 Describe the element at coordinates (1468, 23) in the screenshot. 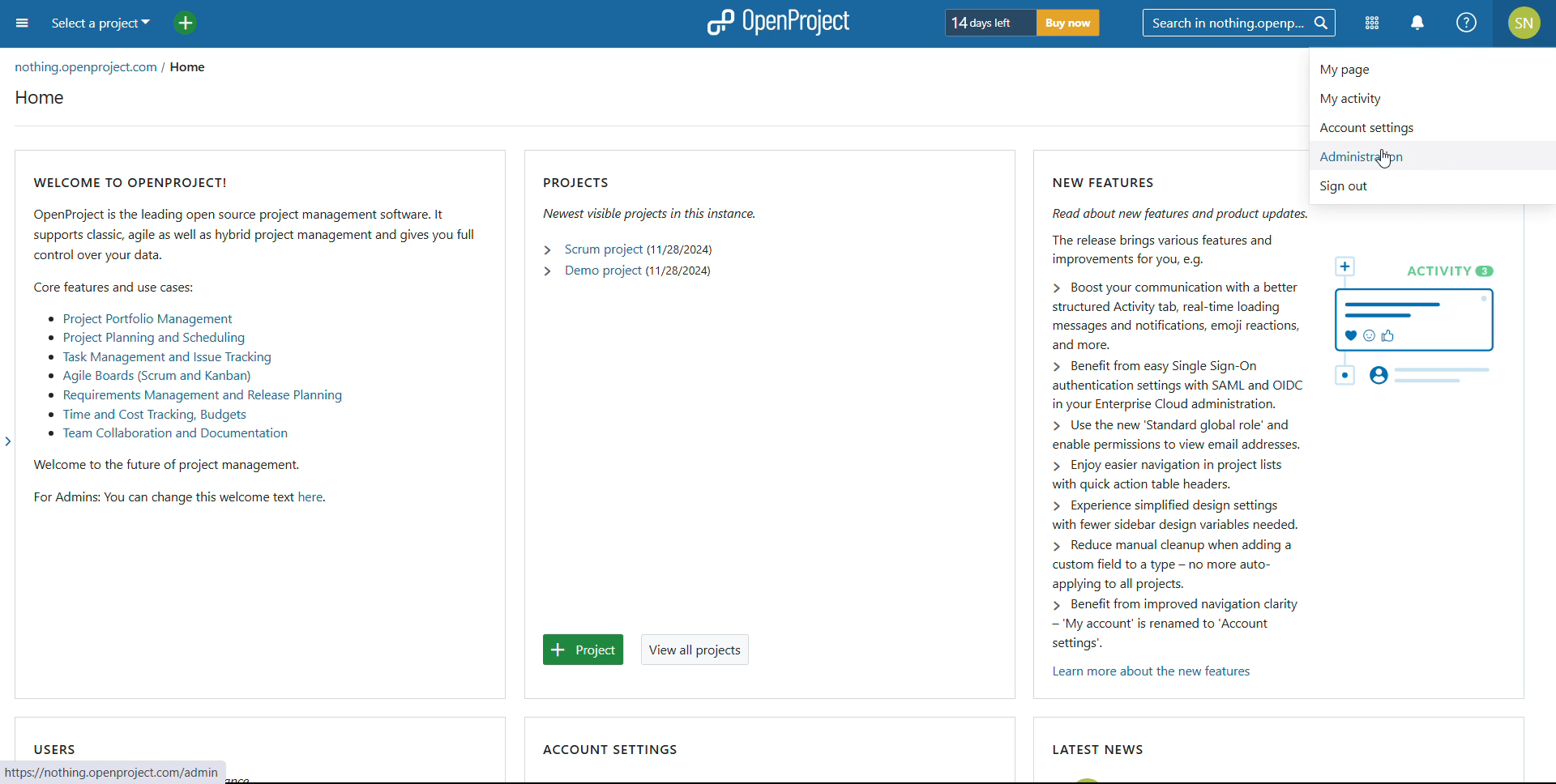

I see `help` at that location.